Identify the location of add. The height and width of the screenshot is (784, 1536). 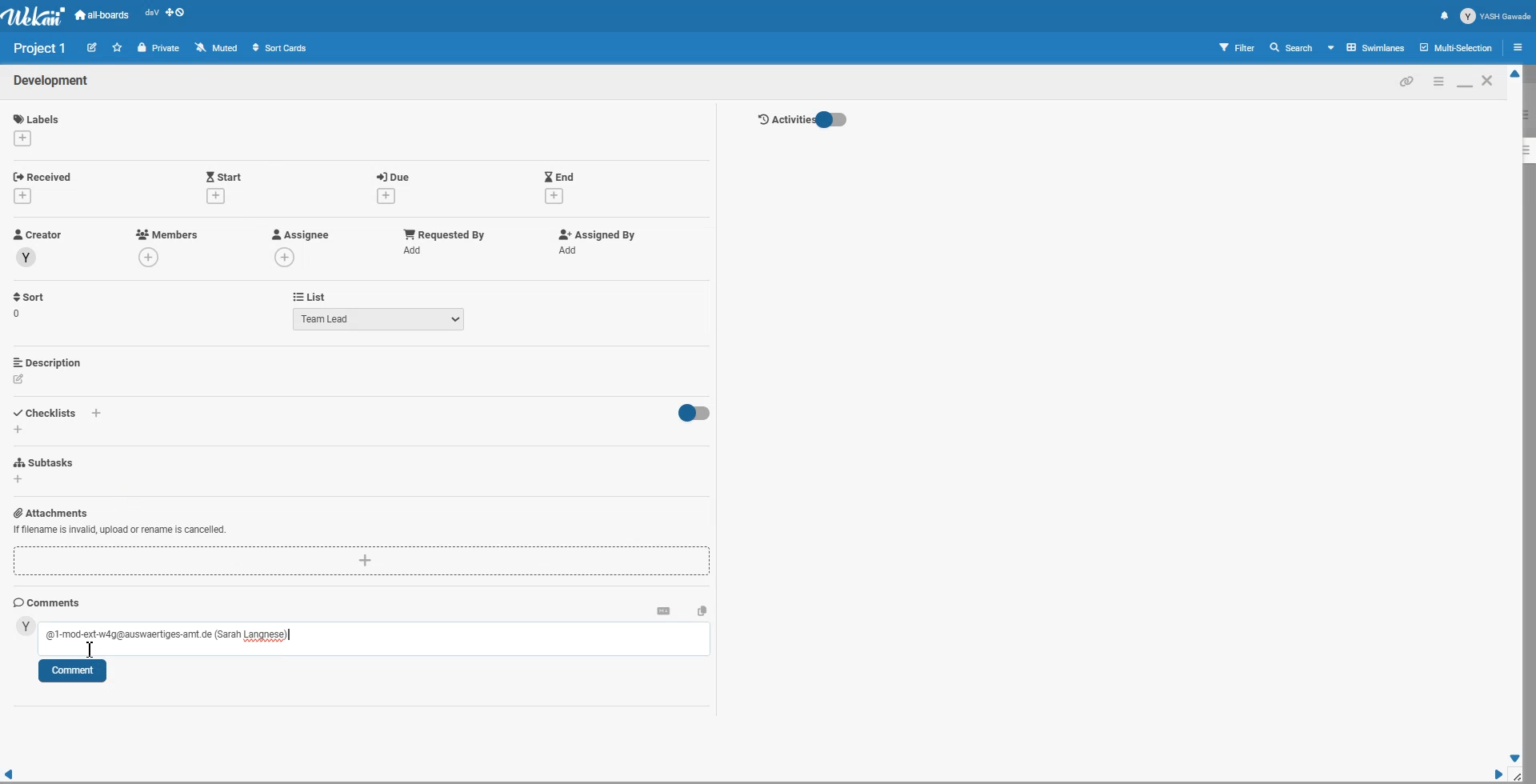
(286, 257).